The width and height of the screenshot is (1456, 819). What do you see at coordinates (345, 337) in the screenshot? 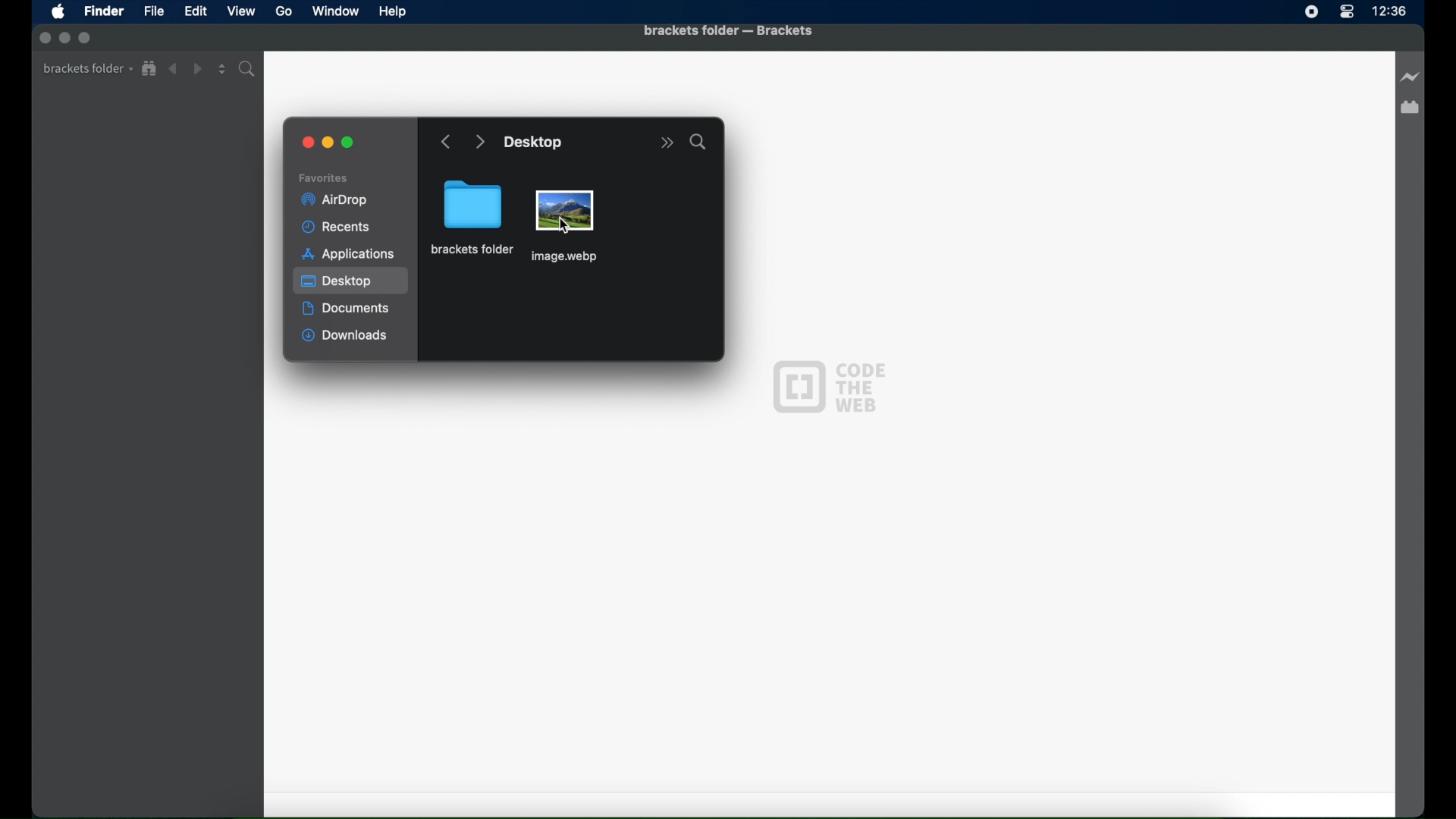
I see `downloads` at bounding box center [345, 337].